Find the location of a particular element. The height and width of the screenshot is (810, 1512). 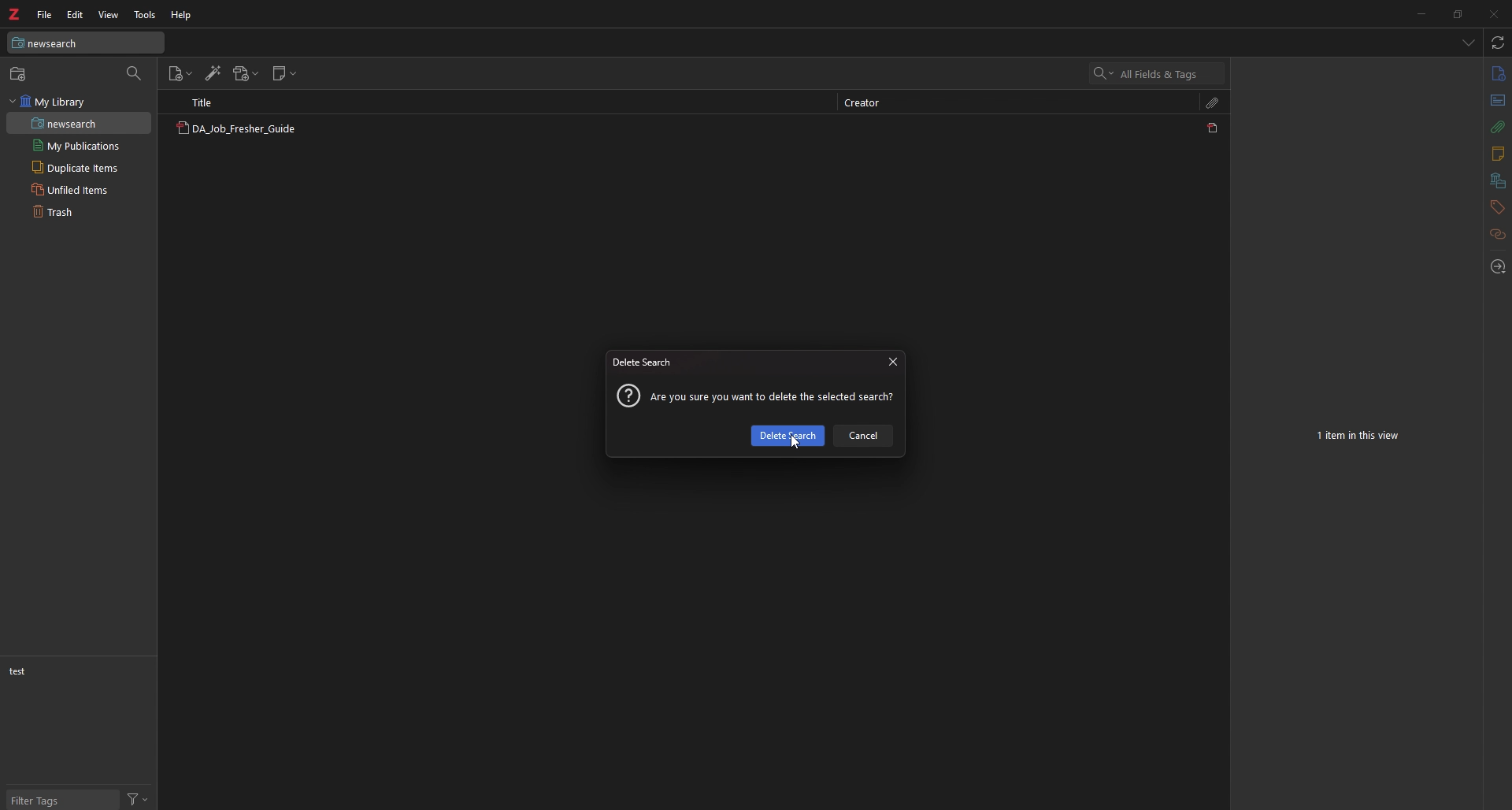

pdf is located at coordinates (1213, 128).